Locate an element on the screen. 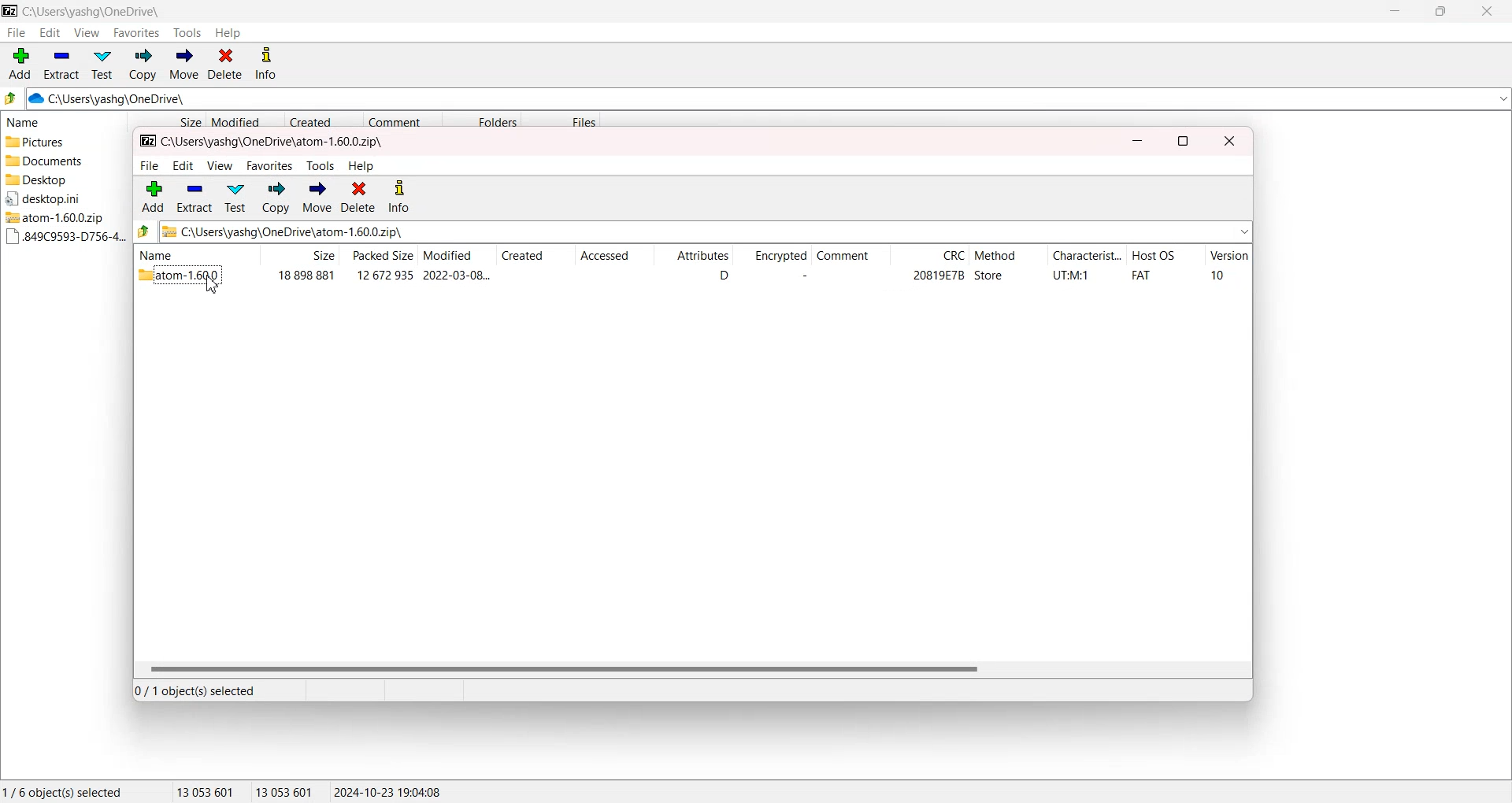  favorites is located at coordinates (271, 166).